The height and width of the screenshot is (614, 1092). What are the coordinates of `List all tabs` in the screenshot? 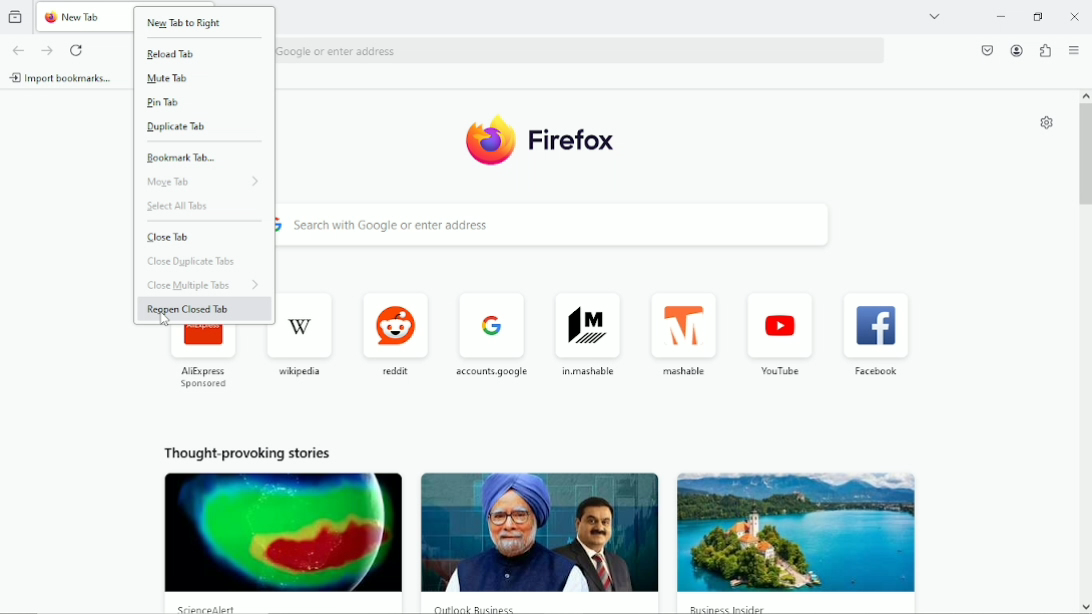 It's located at (932, 17).